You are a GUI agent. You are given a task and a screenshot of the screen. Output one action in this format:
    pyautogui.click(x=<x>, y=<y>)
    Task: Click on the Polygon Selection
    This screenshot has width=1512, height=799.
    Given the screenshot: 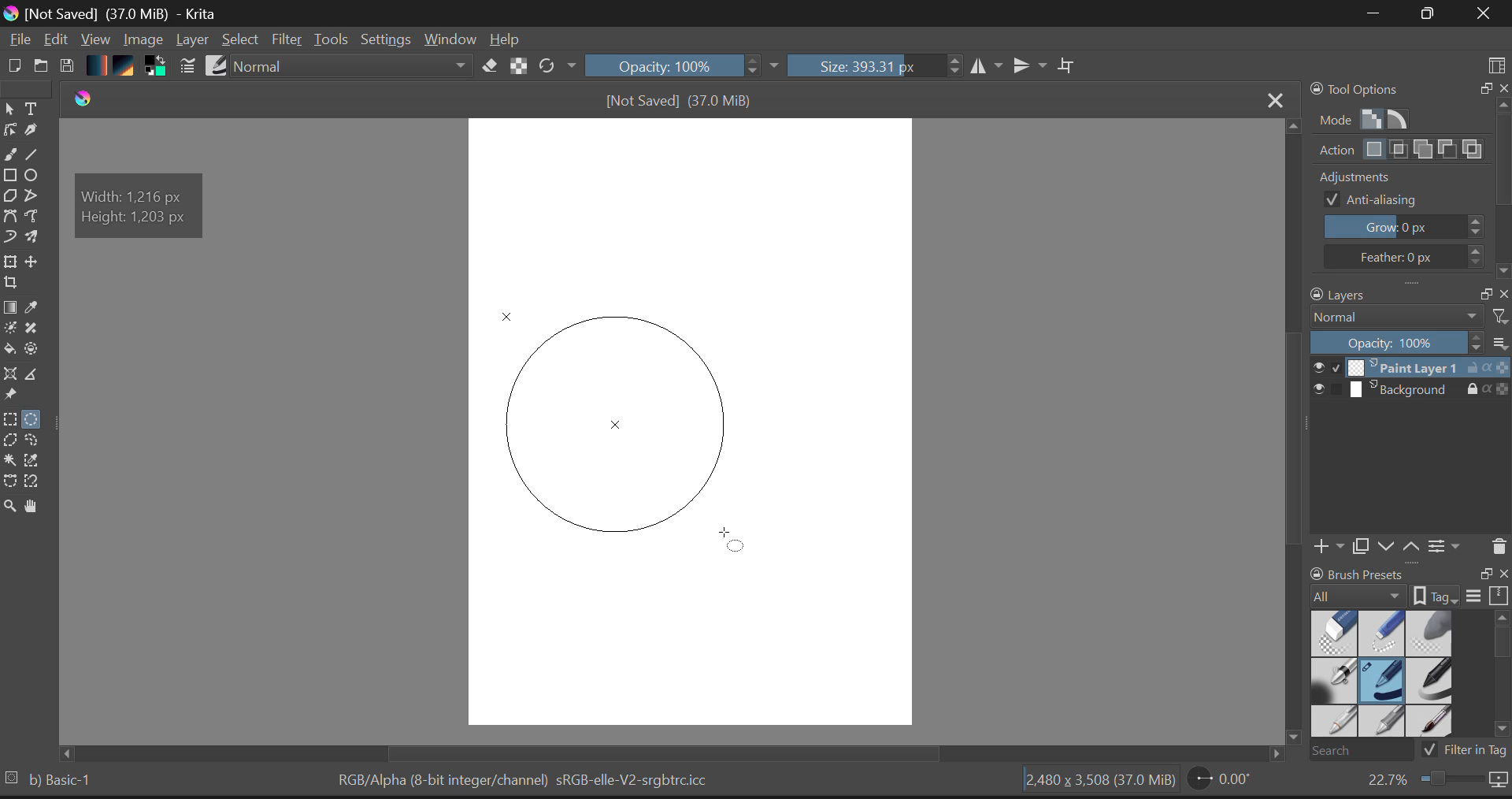 What is the action you would take?
    pyautogui.click(x=13, y=443)
    